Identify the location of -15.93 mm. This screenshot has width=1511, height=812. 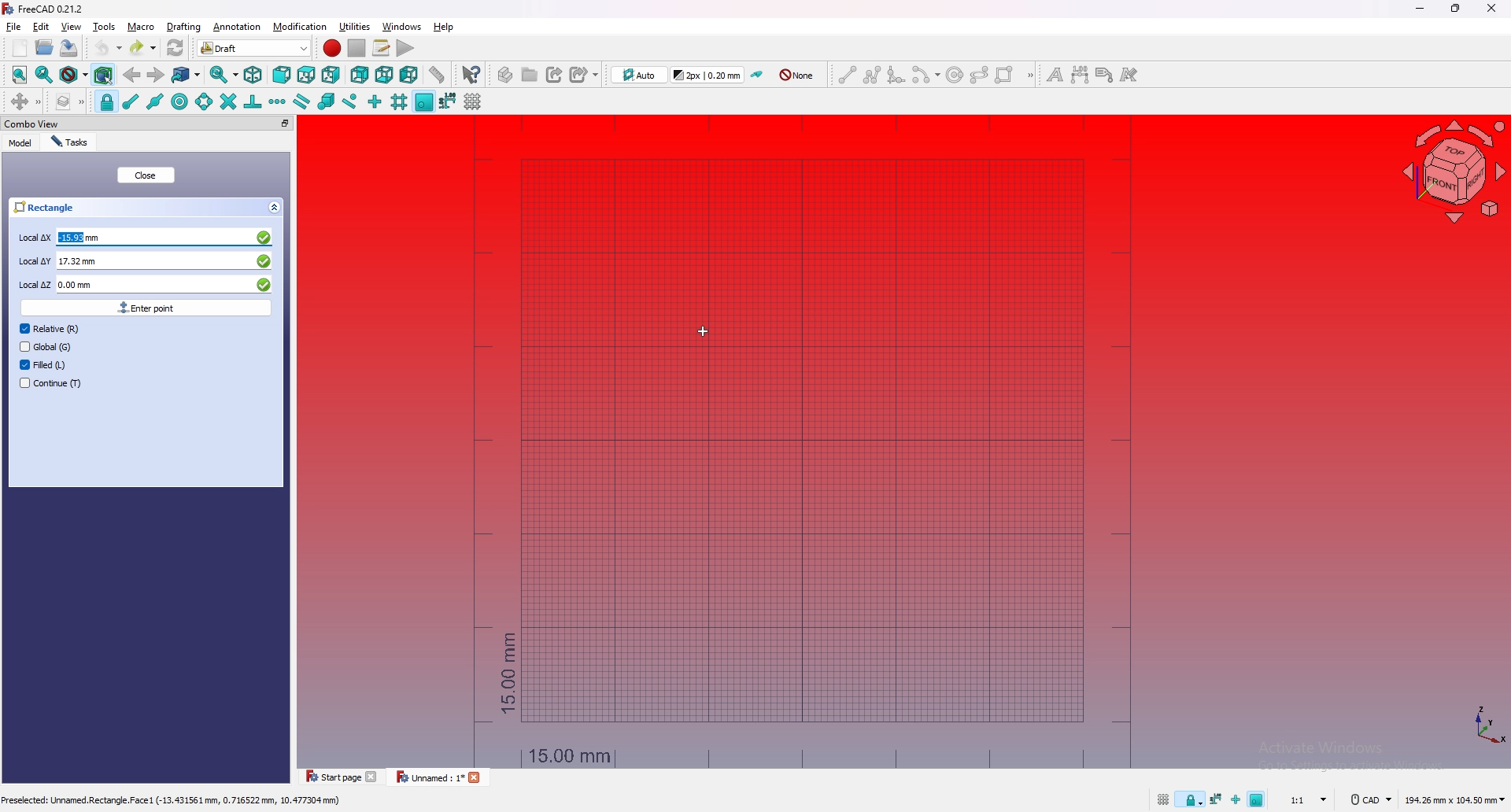
(165, 238).